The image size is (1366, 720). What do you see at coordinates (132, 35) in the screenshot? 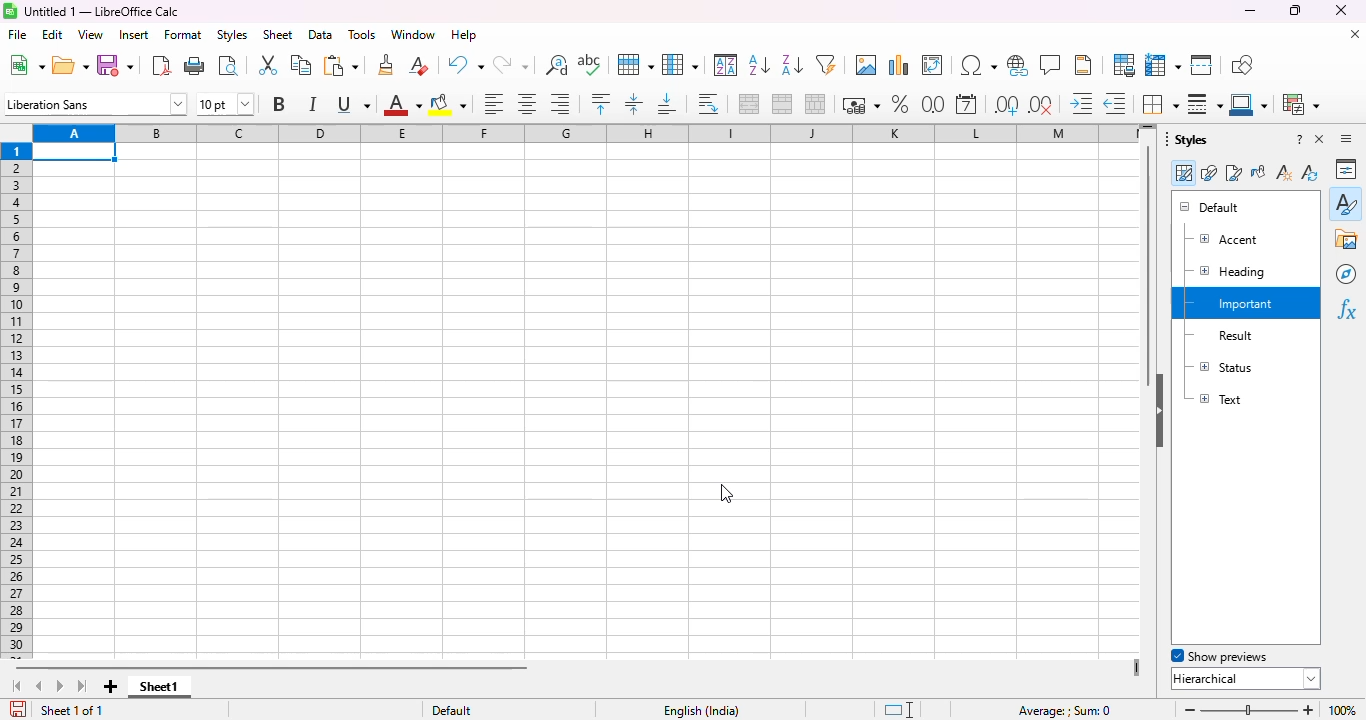
I see `insert` at bounding box center [132, 35].